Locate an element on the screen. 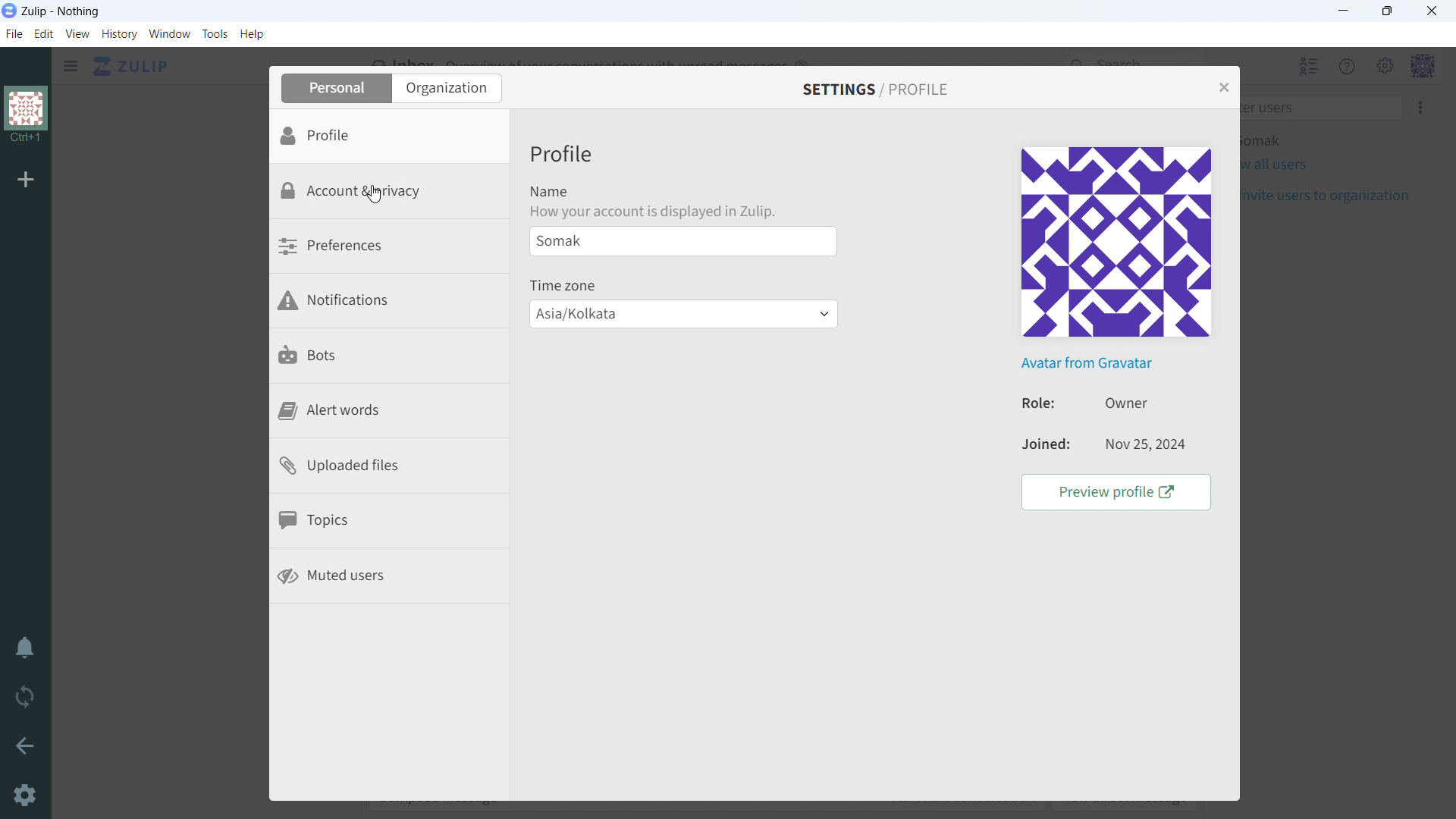  account & privacy is located at coordinates (390, 193).